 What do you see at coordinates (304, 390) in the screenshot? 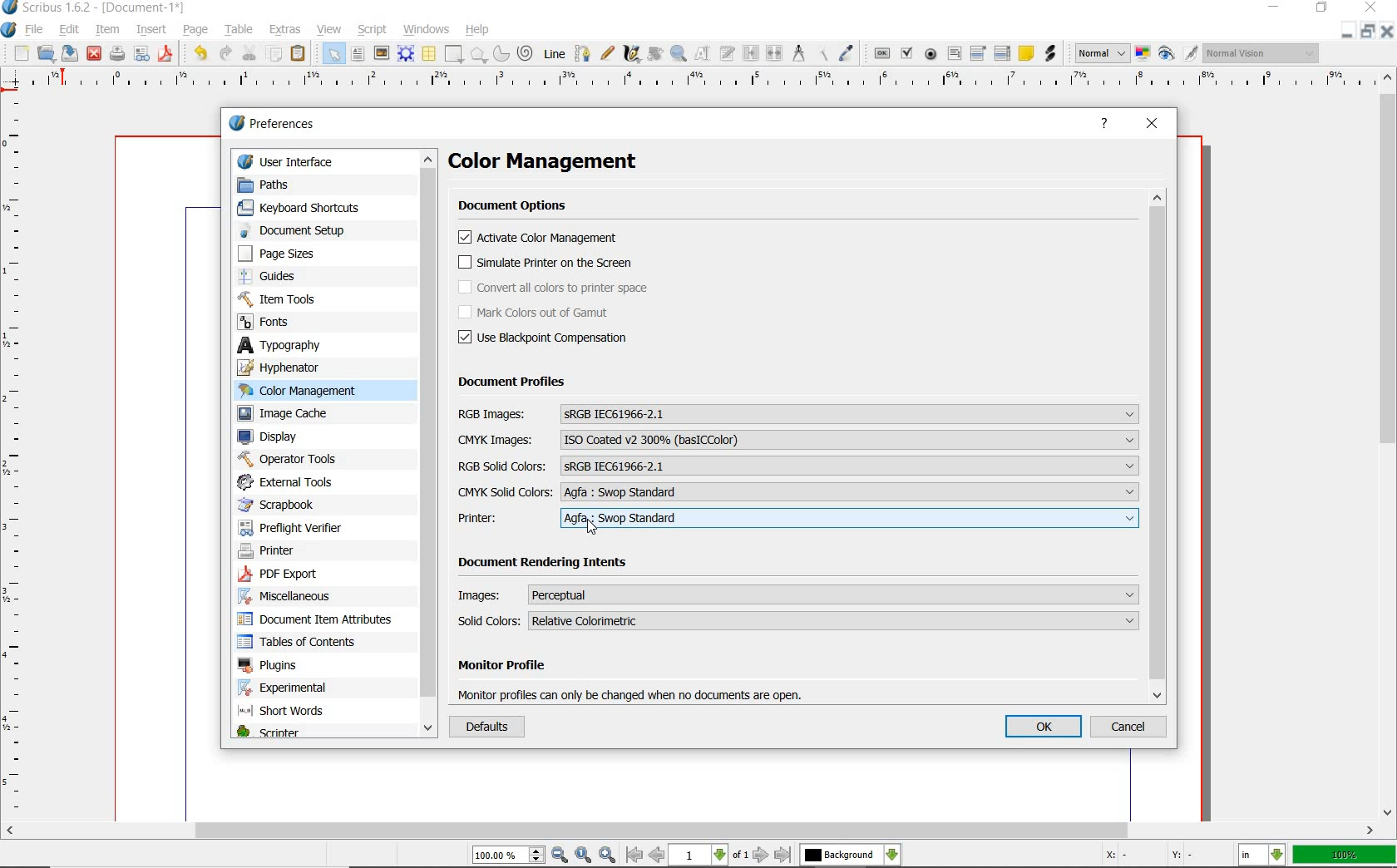
I see `color management` at bounding box center [304, 390].